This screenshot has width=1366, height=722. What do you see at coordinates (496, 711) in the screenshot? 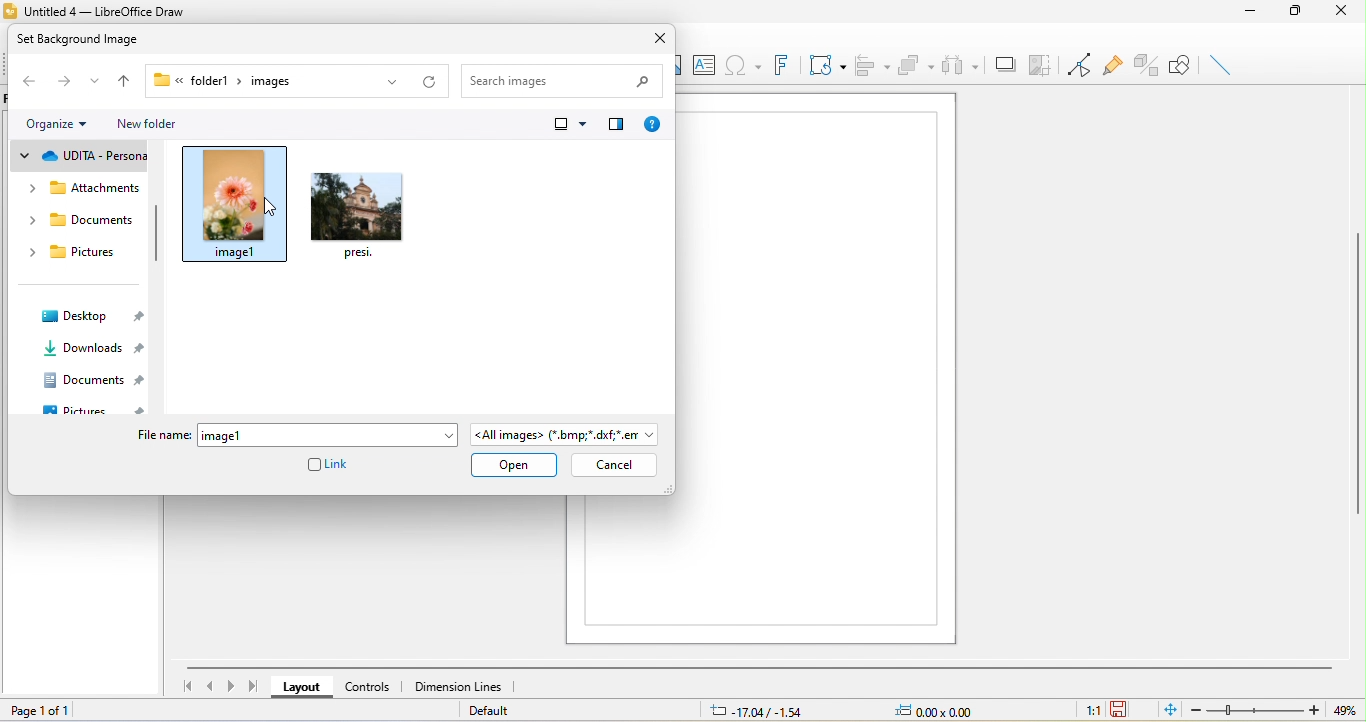
I see `Default` at bounding box center [496, 711].